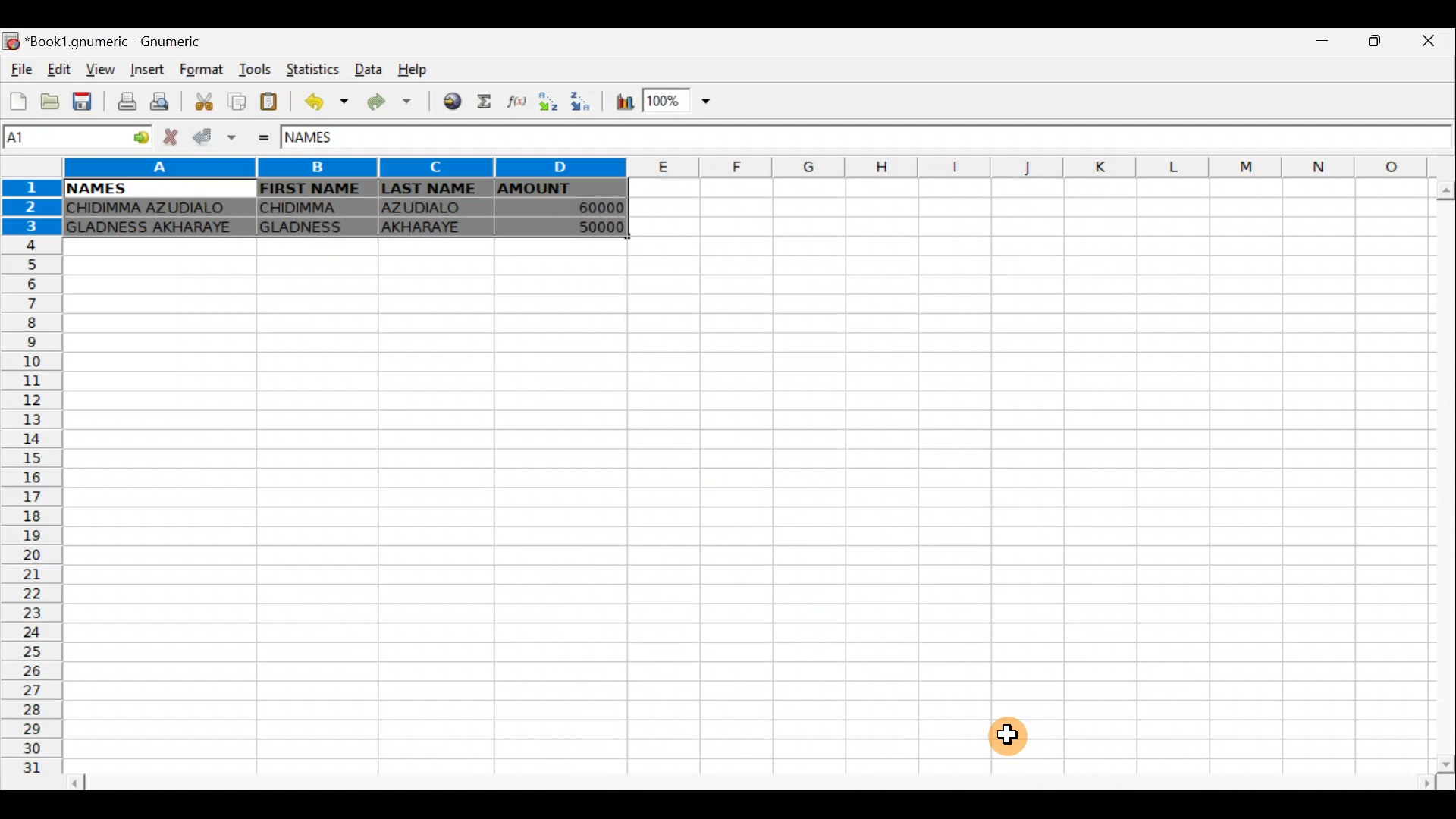 The image size is (1456, 819). I want to click on Cut selection, so click(208, 104).